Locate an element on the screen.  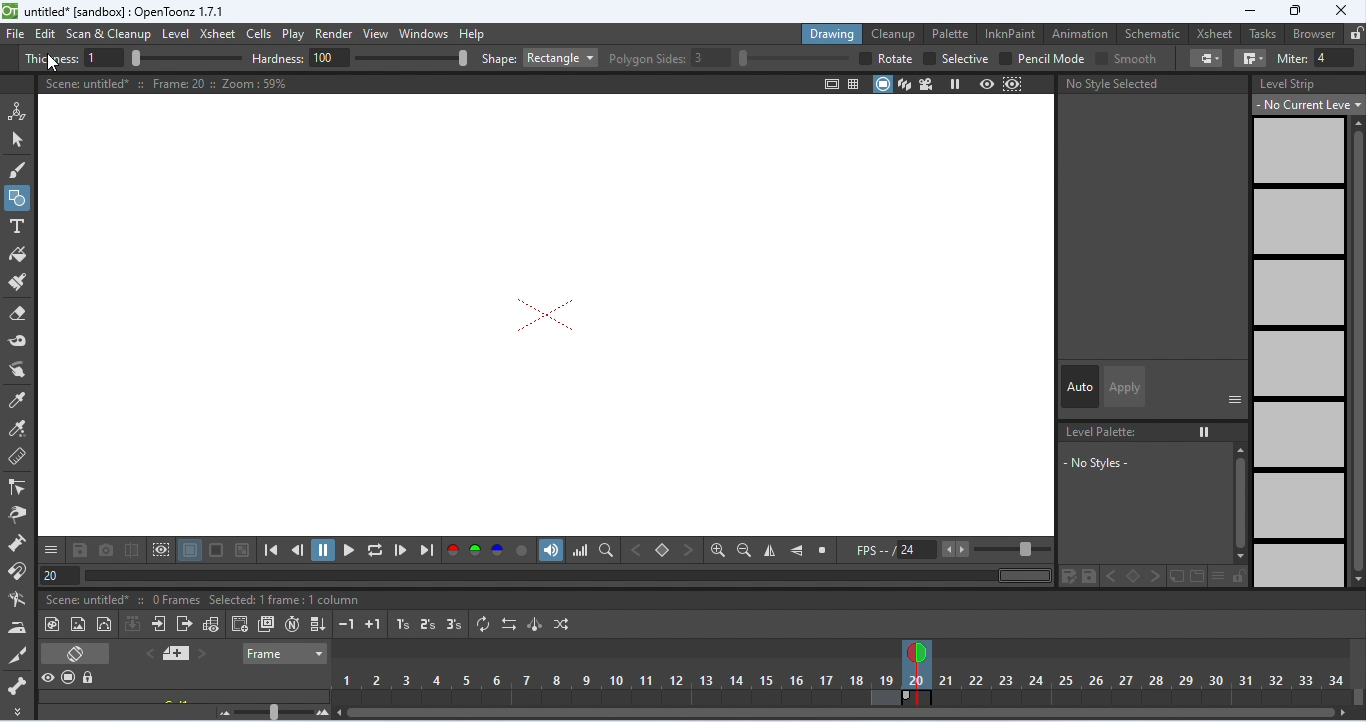
scene untitled is located at coordinates (85, 83).